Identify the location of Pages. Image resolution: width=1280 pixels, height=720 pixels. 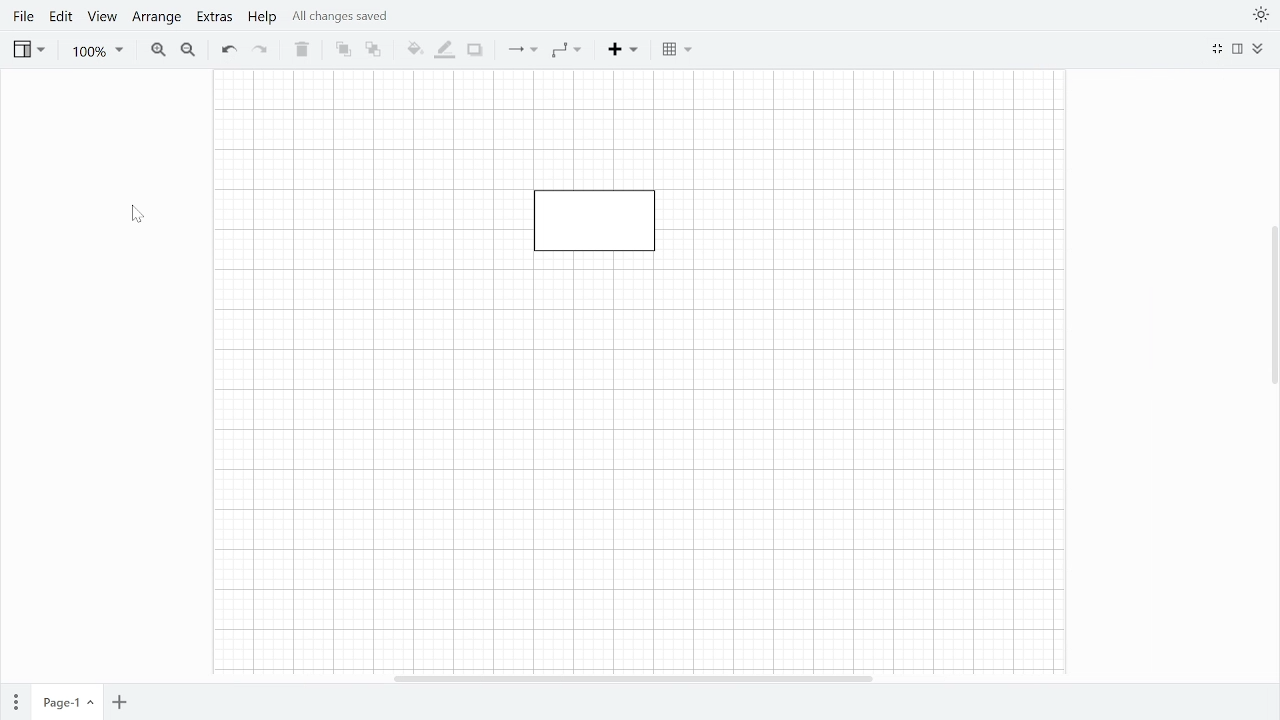
(16, 700).